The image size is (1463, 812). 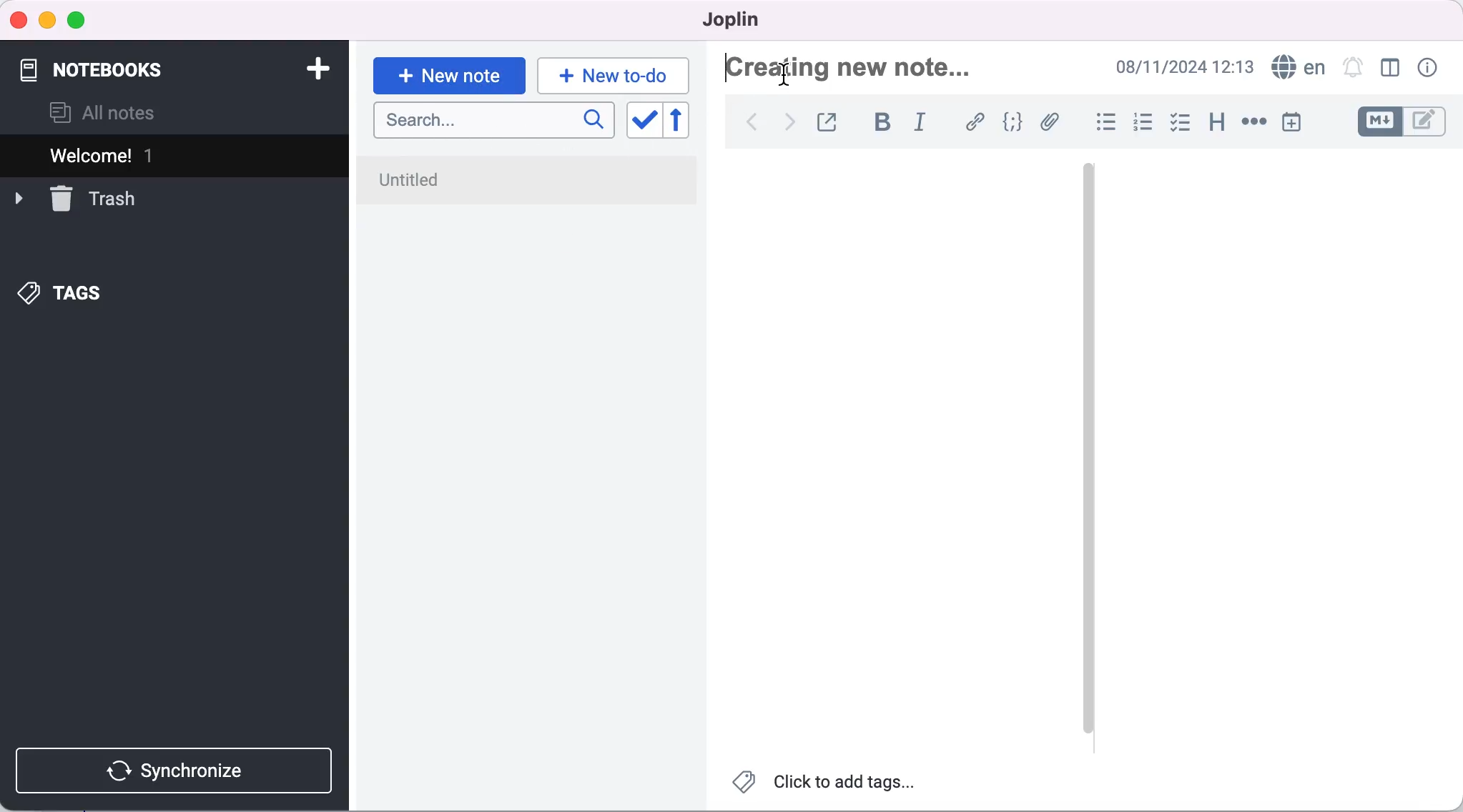 What do you see at coordinates (531, 181) in the screenshot?
I see `untitled ` at bounding box center [531, 181].